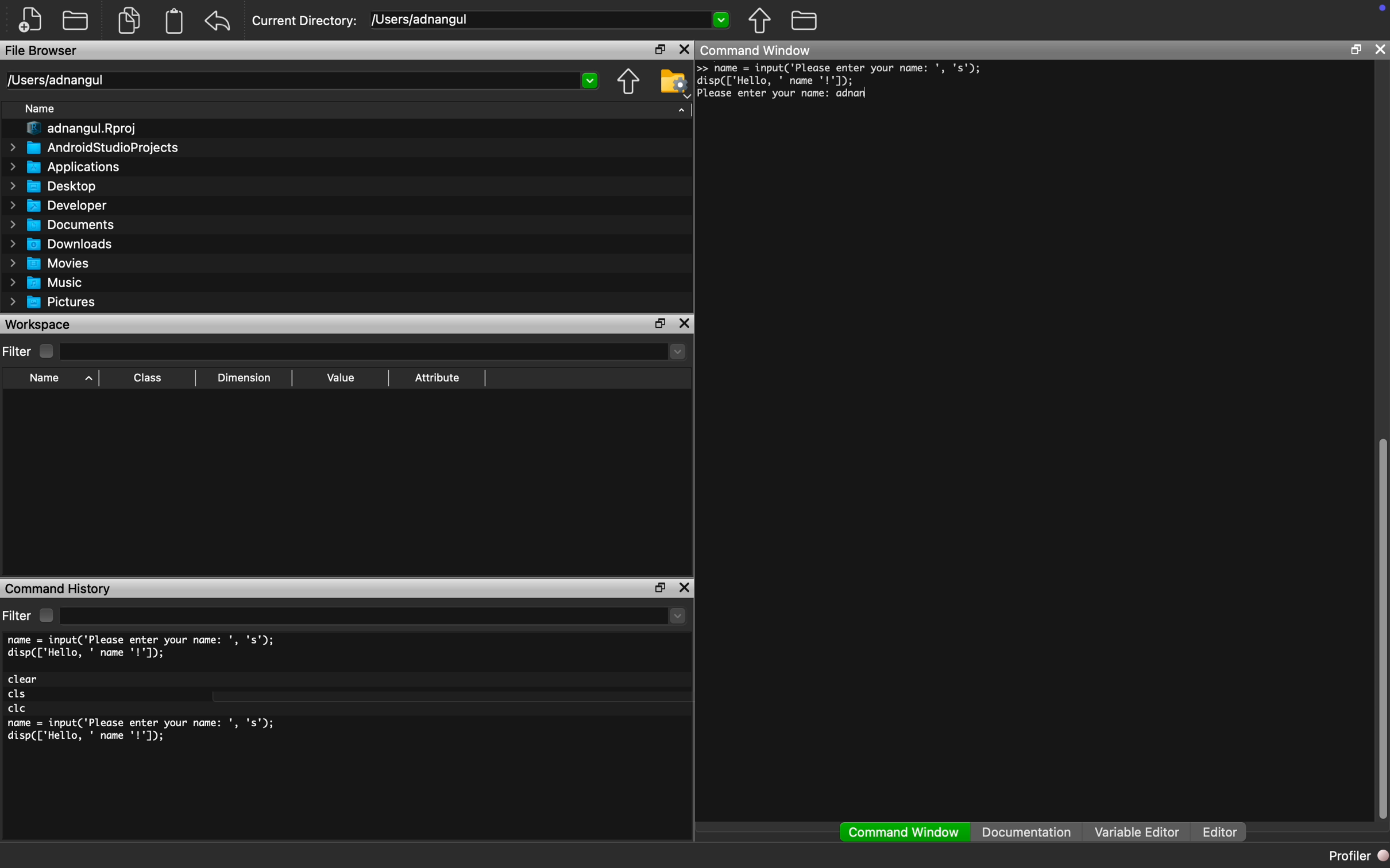 The height and width of the screenshot is (868, 1390). I want to click on Name , so click(58, 379).